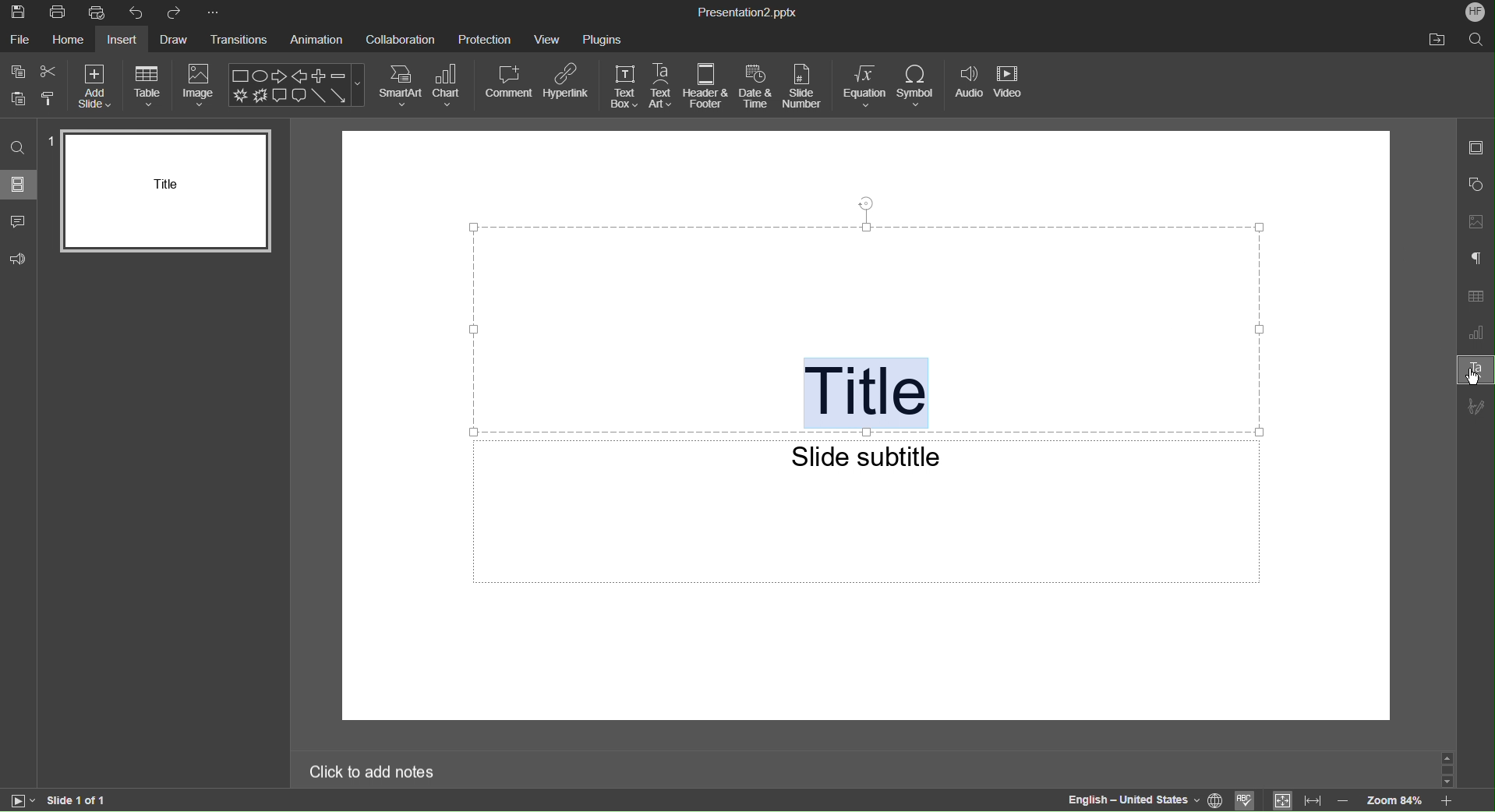  Describe the element at coordinates (707, 86) in the screenshot. I see `Header & Footer` at that location.